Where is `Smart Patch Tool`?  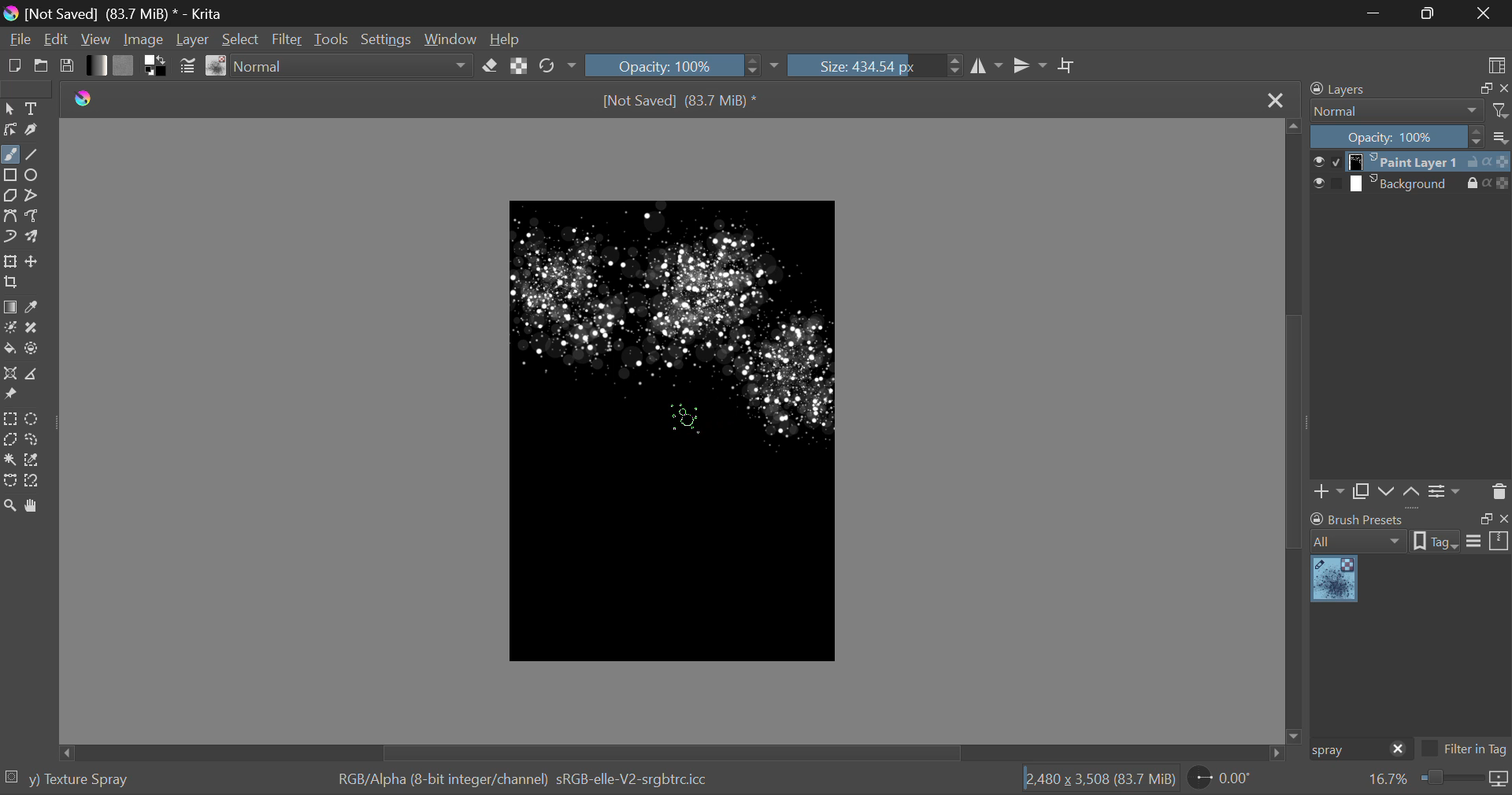
Smart Patch Tool is located at coordinates (32, 331).